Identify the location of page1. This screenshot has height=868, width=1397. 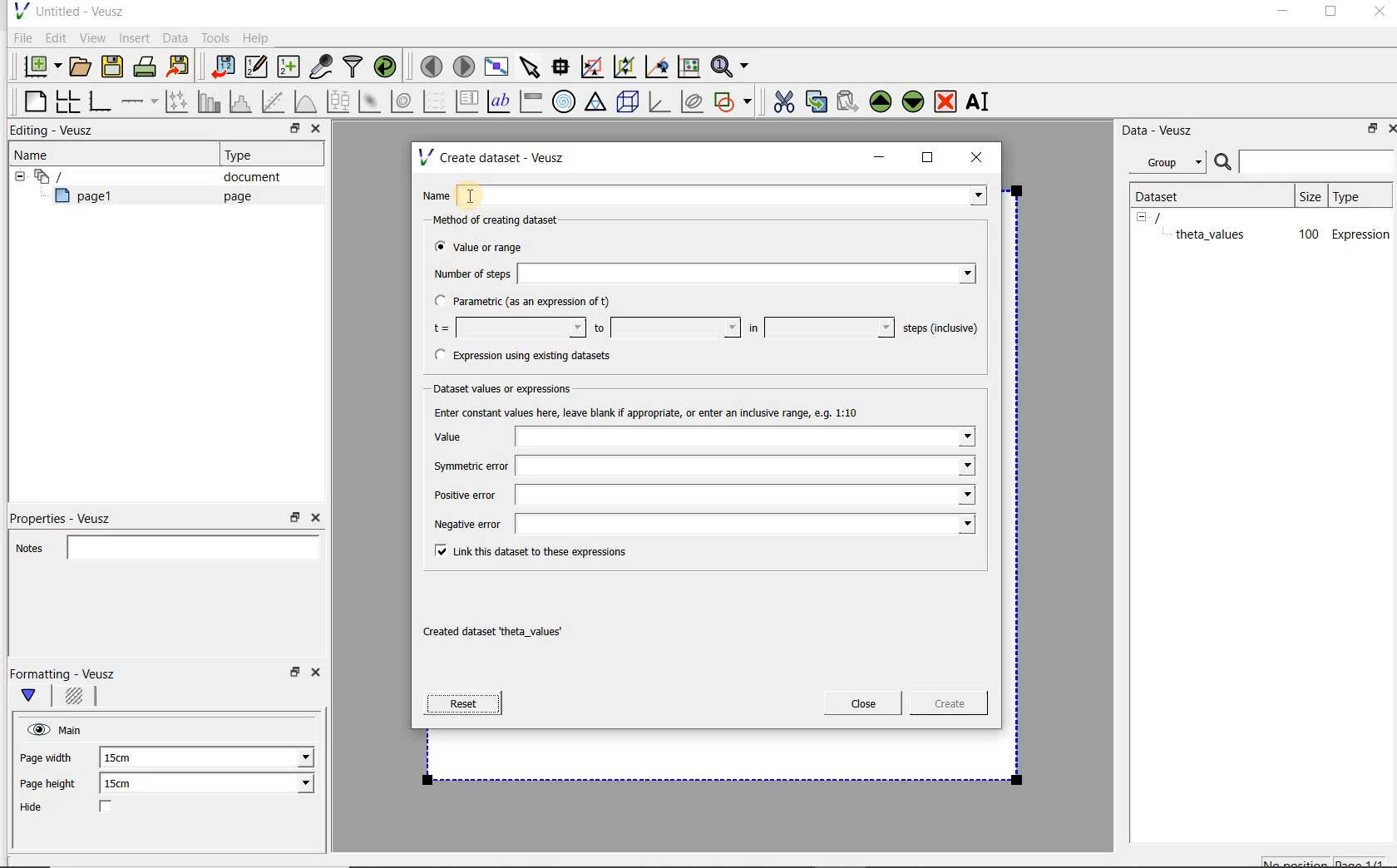
(91, 199).